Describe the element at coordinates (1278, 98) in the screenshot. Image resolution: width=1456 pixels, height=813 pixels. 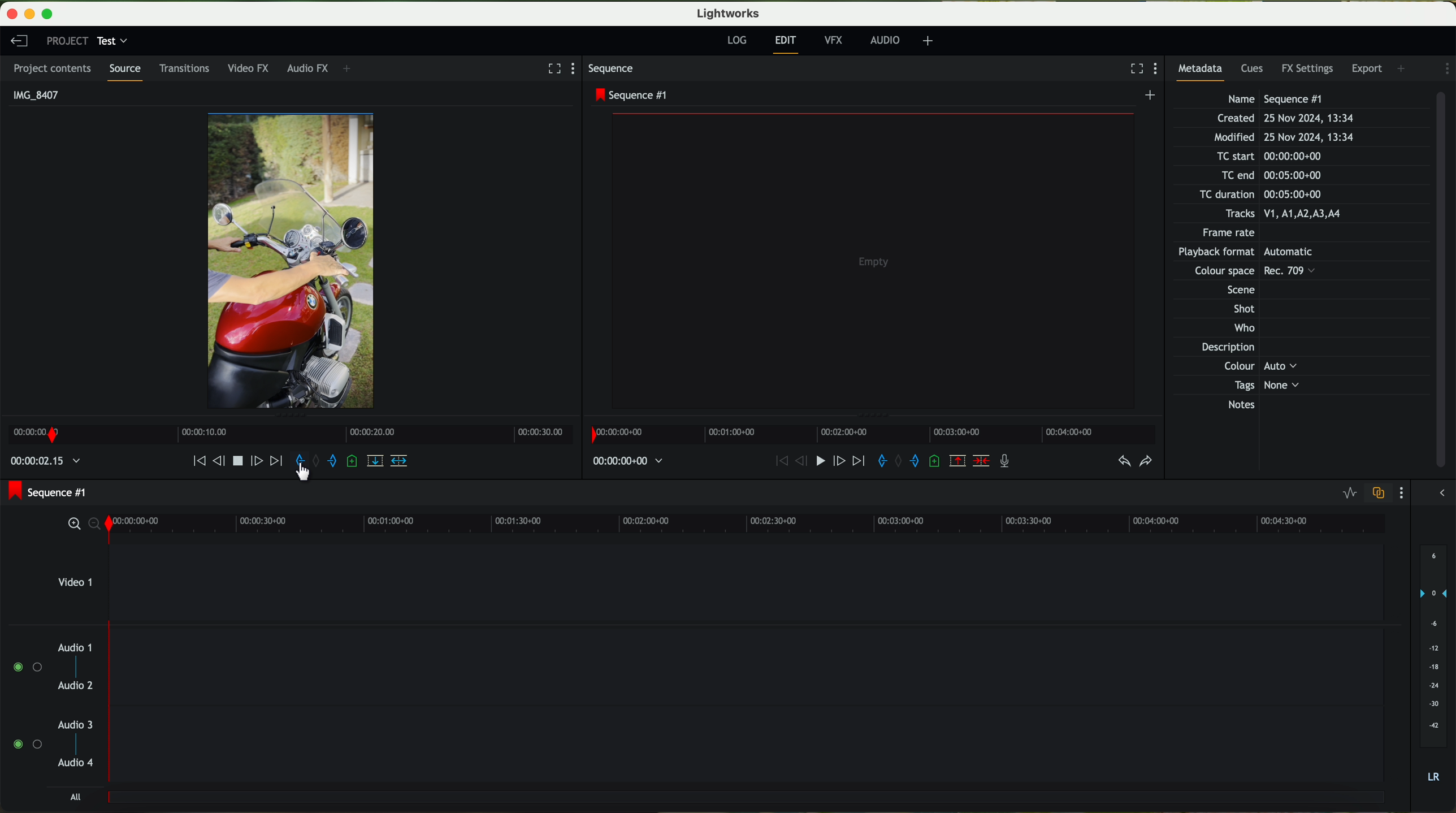
I see `Name` at that location.